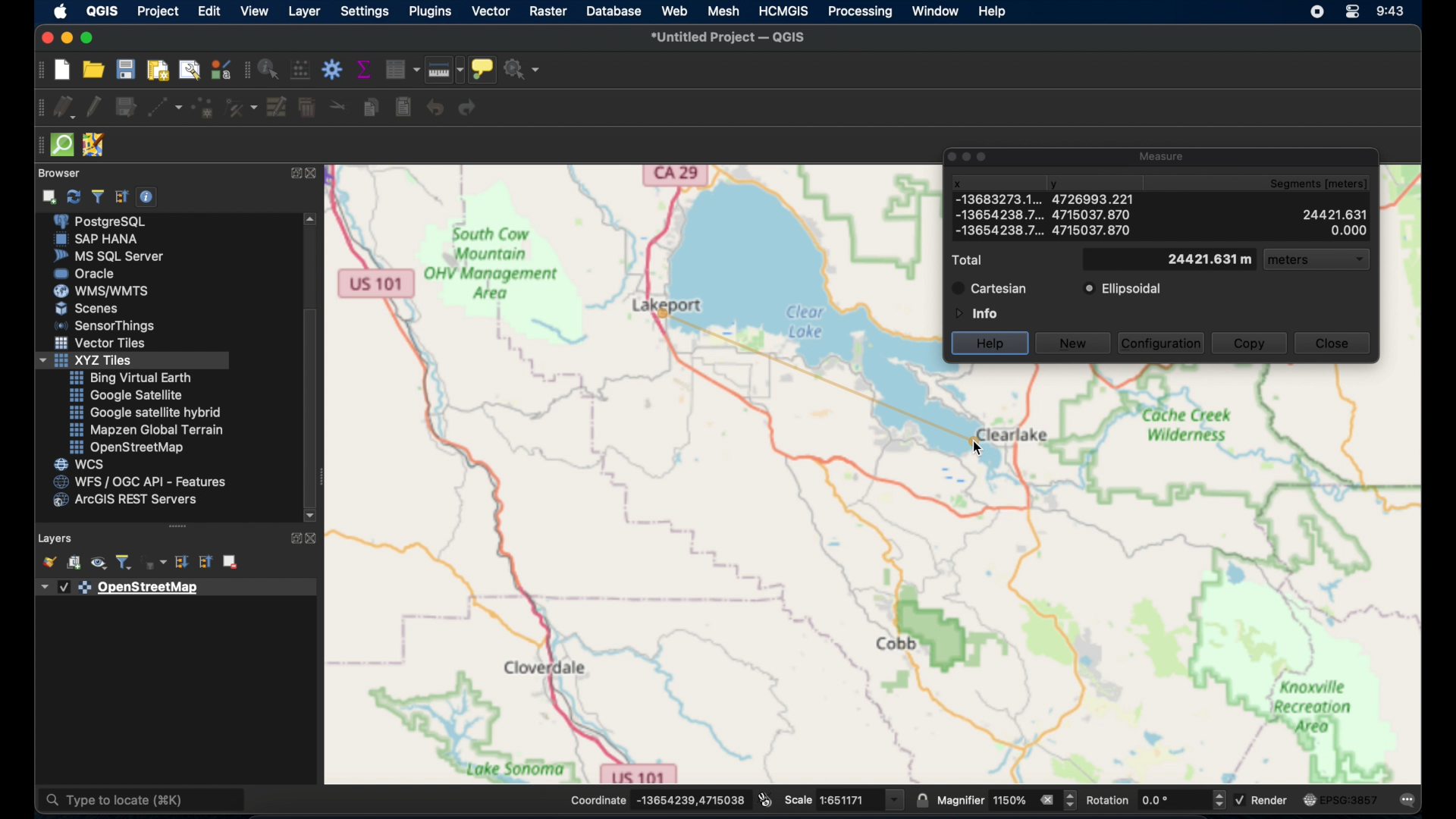  I want to click on magnifier, so click(1008, 801).